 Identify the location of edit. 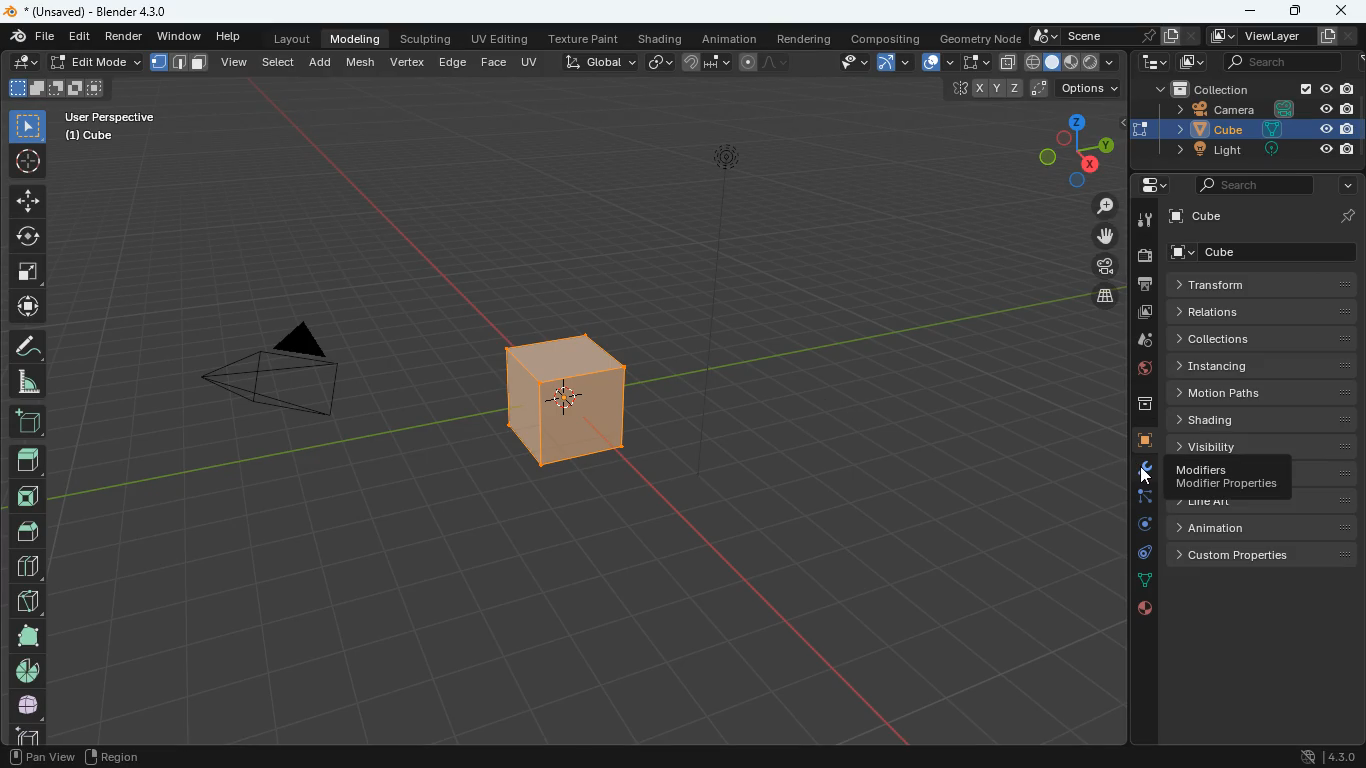
(844, 64).